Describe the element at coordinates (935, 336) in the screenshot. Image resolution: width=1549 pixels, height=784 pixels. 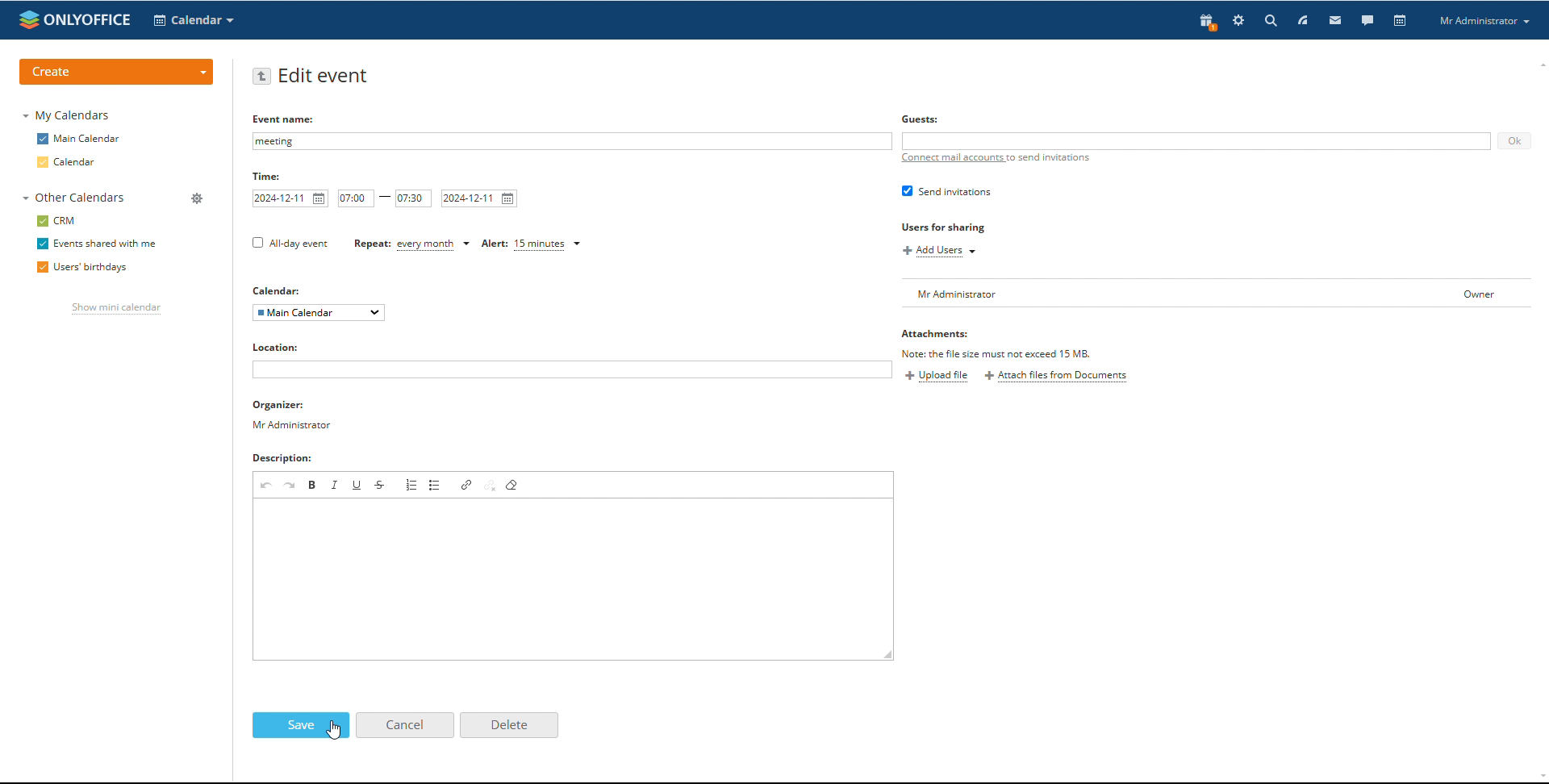
I see `Attachments:` at that location.